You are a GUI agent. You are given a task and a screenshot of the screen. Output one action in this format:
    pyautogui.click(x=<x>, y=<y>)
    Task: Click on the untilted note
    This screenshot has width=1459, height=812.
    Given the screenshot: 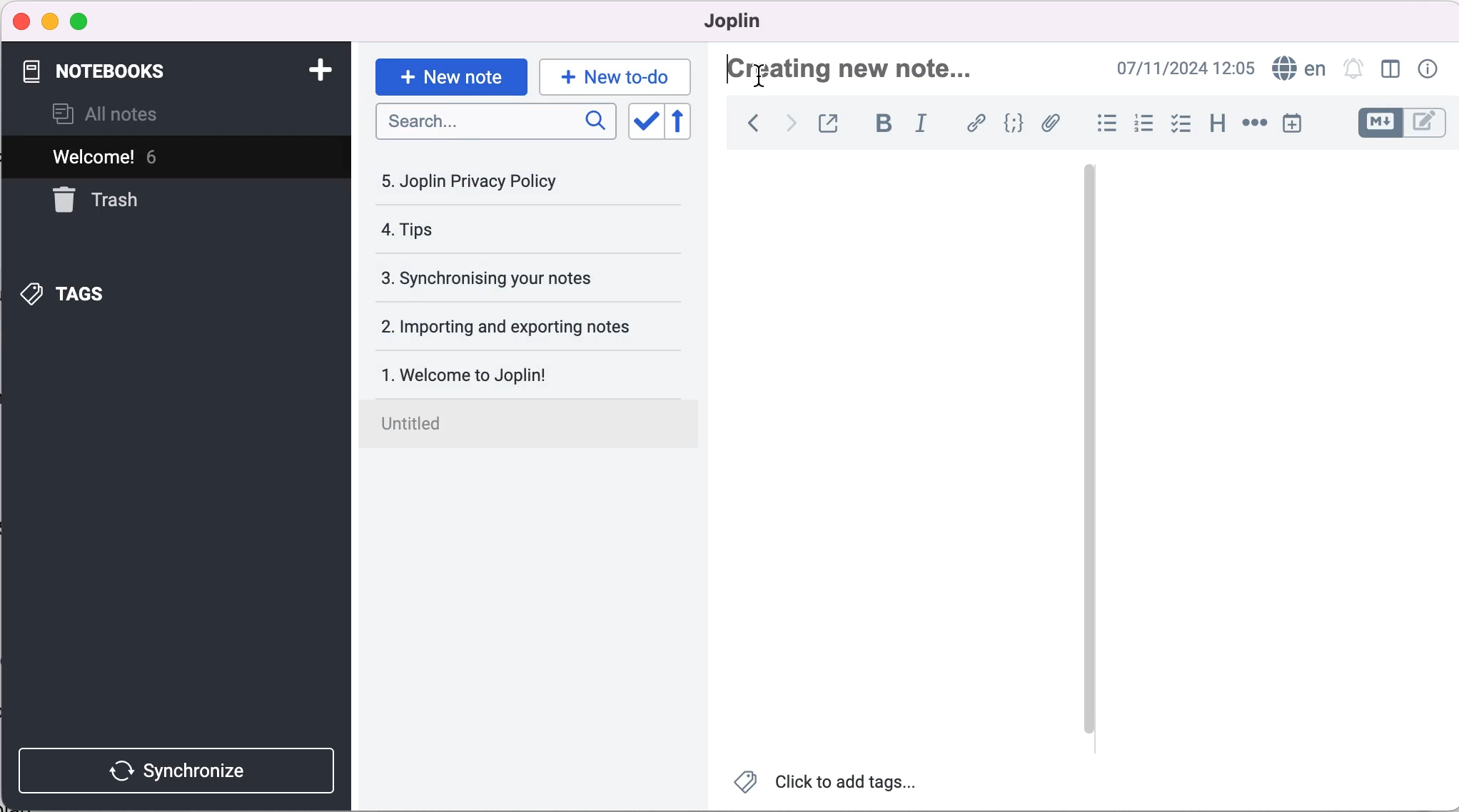 What is the action you would take?
    pyautogui.click(x=531, y=426)
    